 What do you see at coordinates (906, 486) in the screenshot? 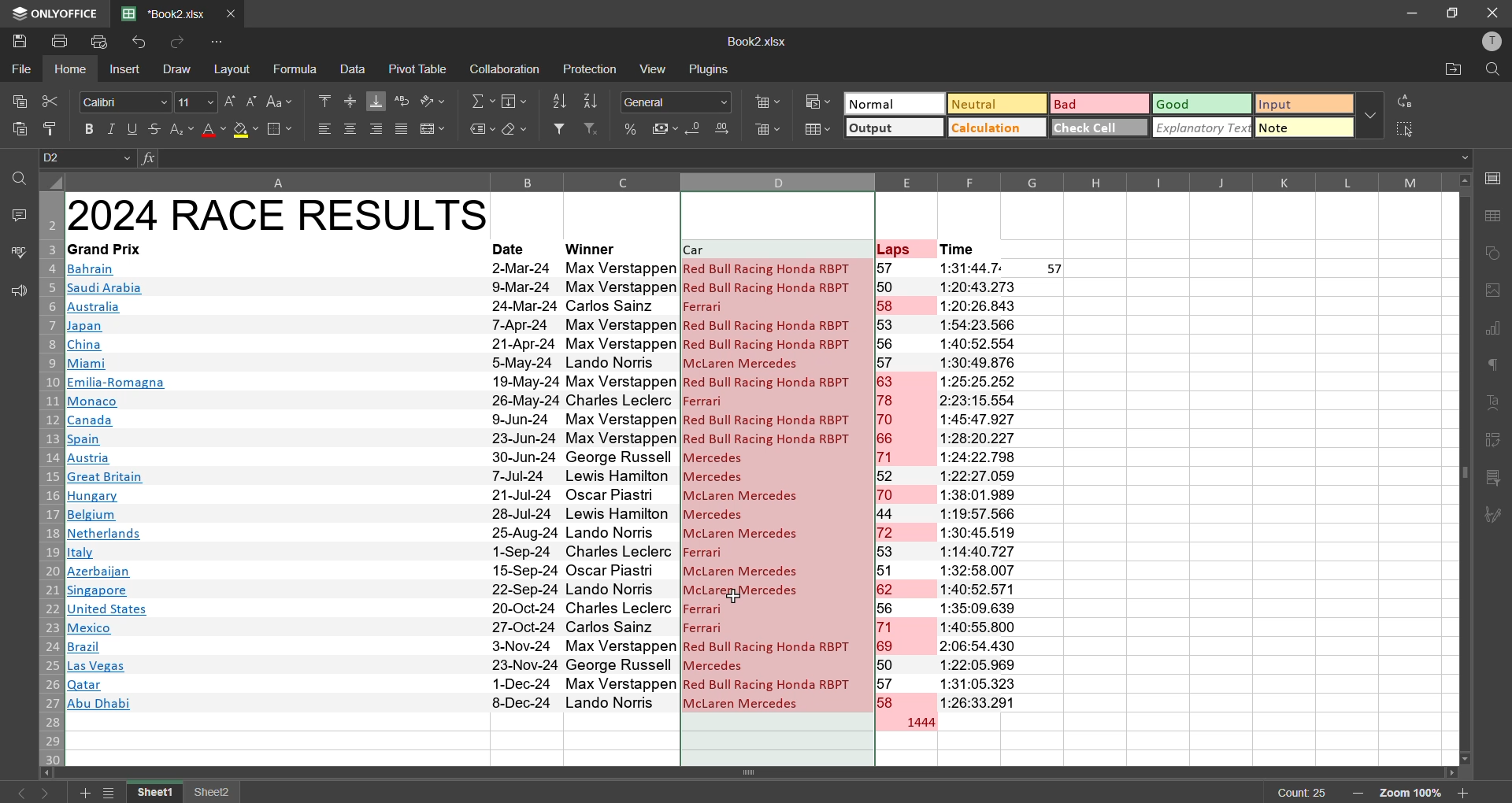
I see `laps` at bounding box center [906, 486].